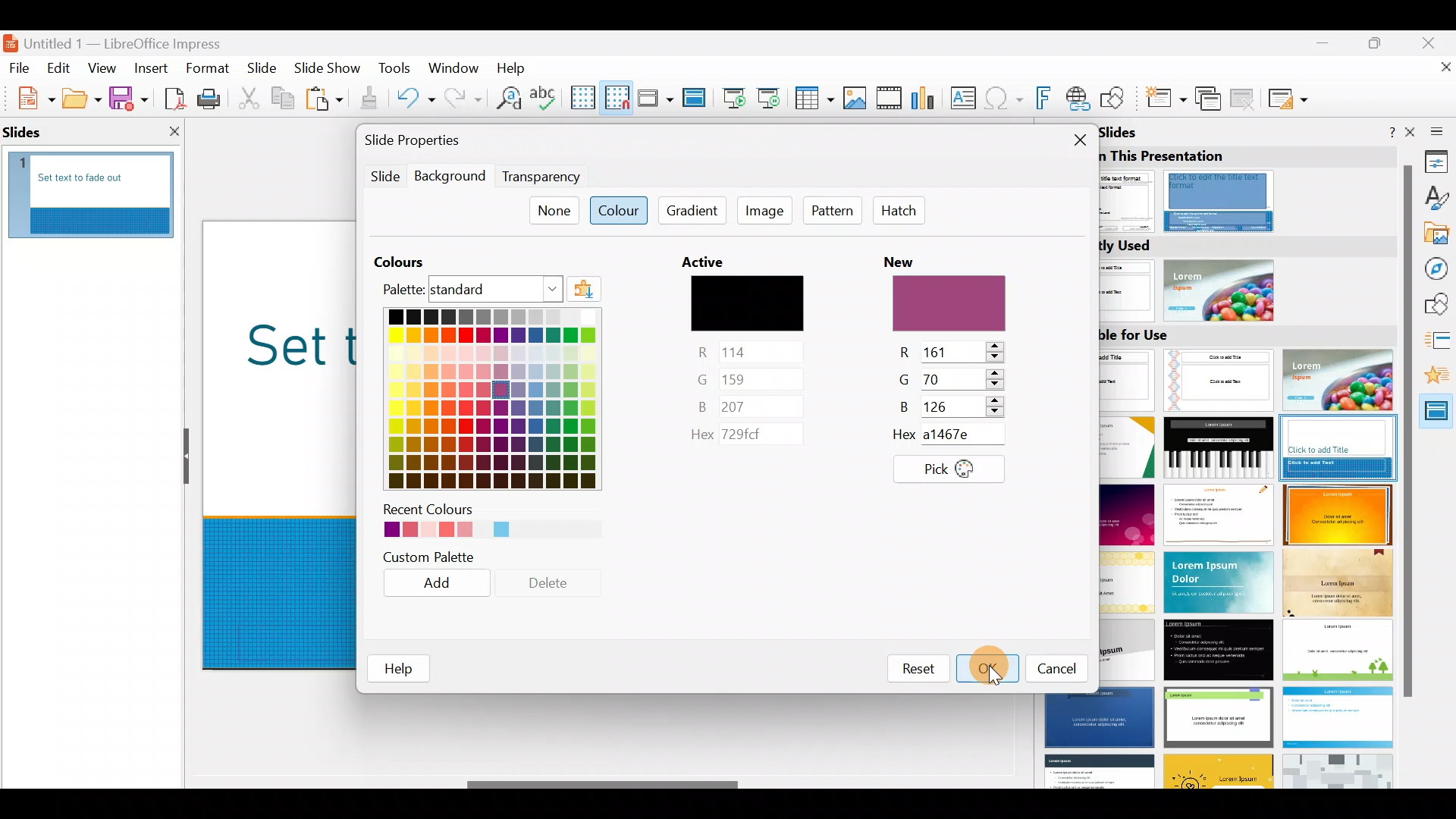 The height and width of the screenshot is (819, 1456). I want to click on Animation, so click(1438, 379).